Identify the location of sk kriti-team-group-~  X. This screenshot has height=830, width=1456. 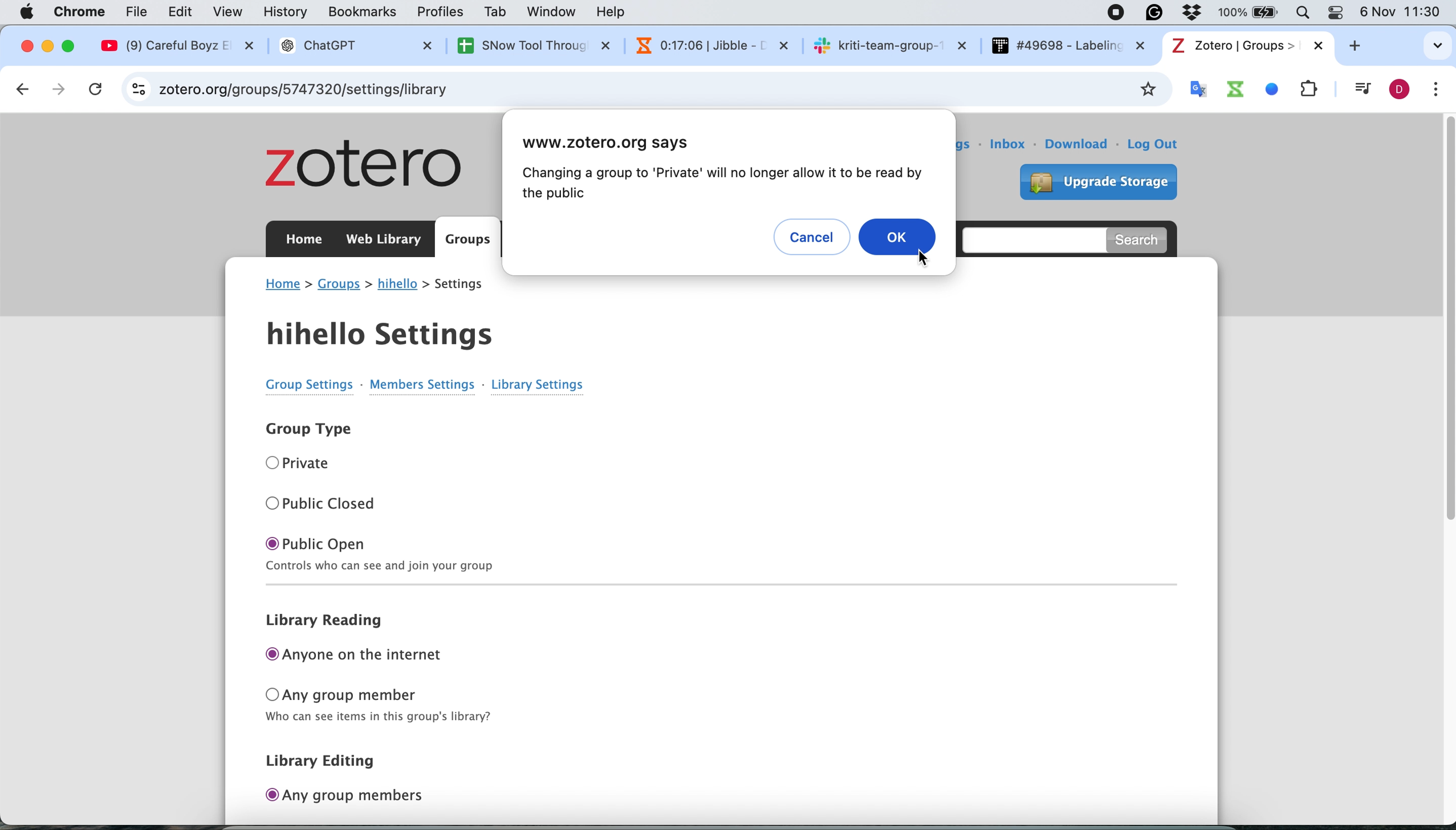
(889, 44).